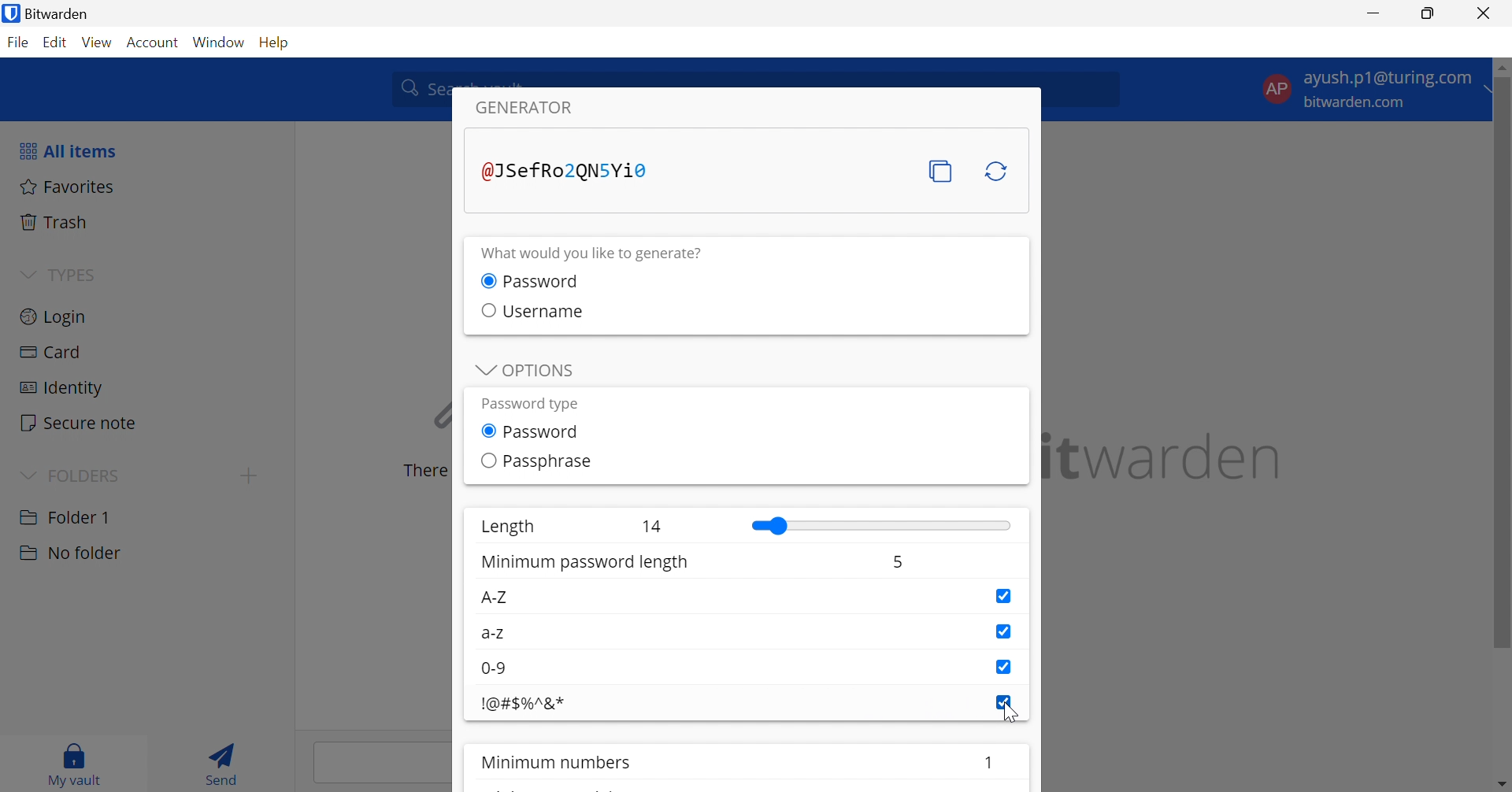 Image resolution: width=1512 pixels, height=792 pixels. What do you see at coordinates (80, 423) in the screenshot?
I see `Secure note` at bounding box center [80, 423].